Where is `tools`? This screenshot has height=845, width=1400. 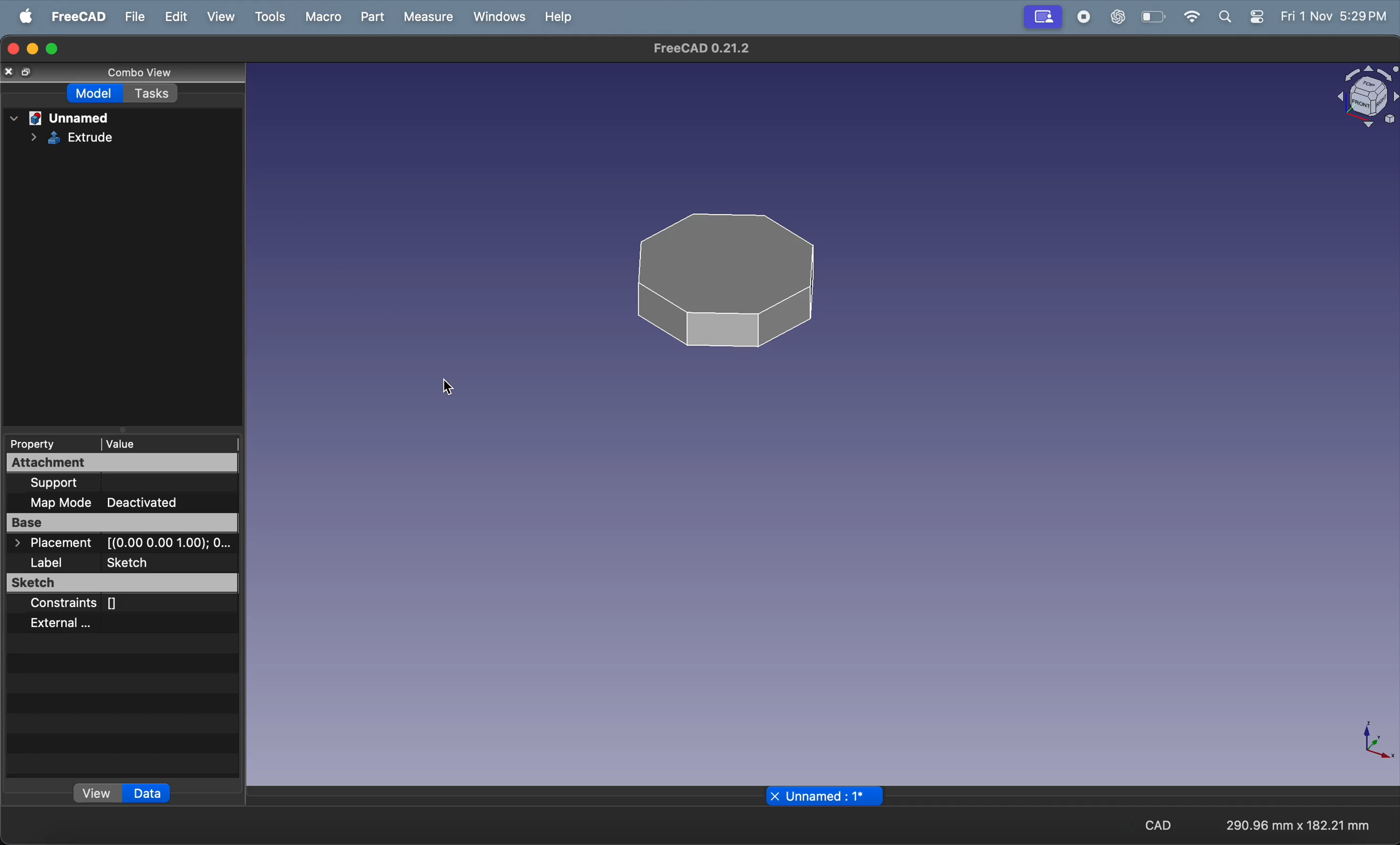
tools is located at coordinates (268, 16).